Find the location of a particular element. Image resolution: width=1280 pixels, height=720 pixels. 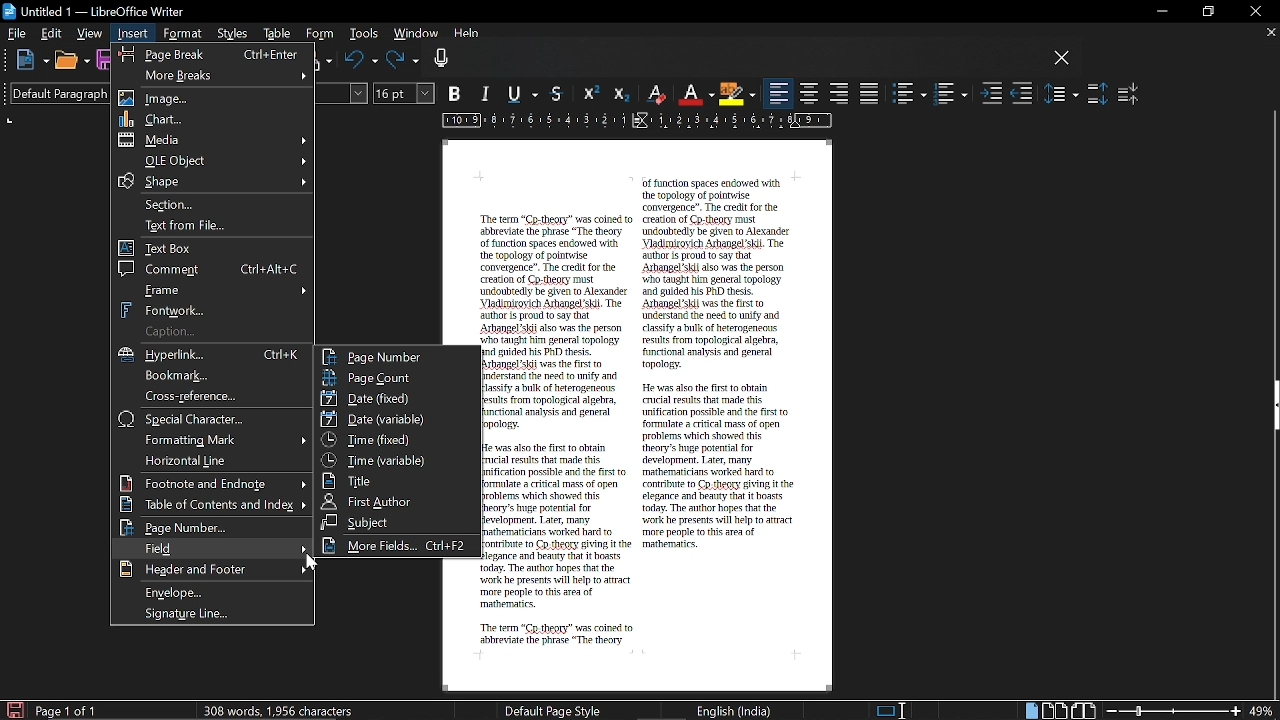

Page number is located at coordinates (211, 528).